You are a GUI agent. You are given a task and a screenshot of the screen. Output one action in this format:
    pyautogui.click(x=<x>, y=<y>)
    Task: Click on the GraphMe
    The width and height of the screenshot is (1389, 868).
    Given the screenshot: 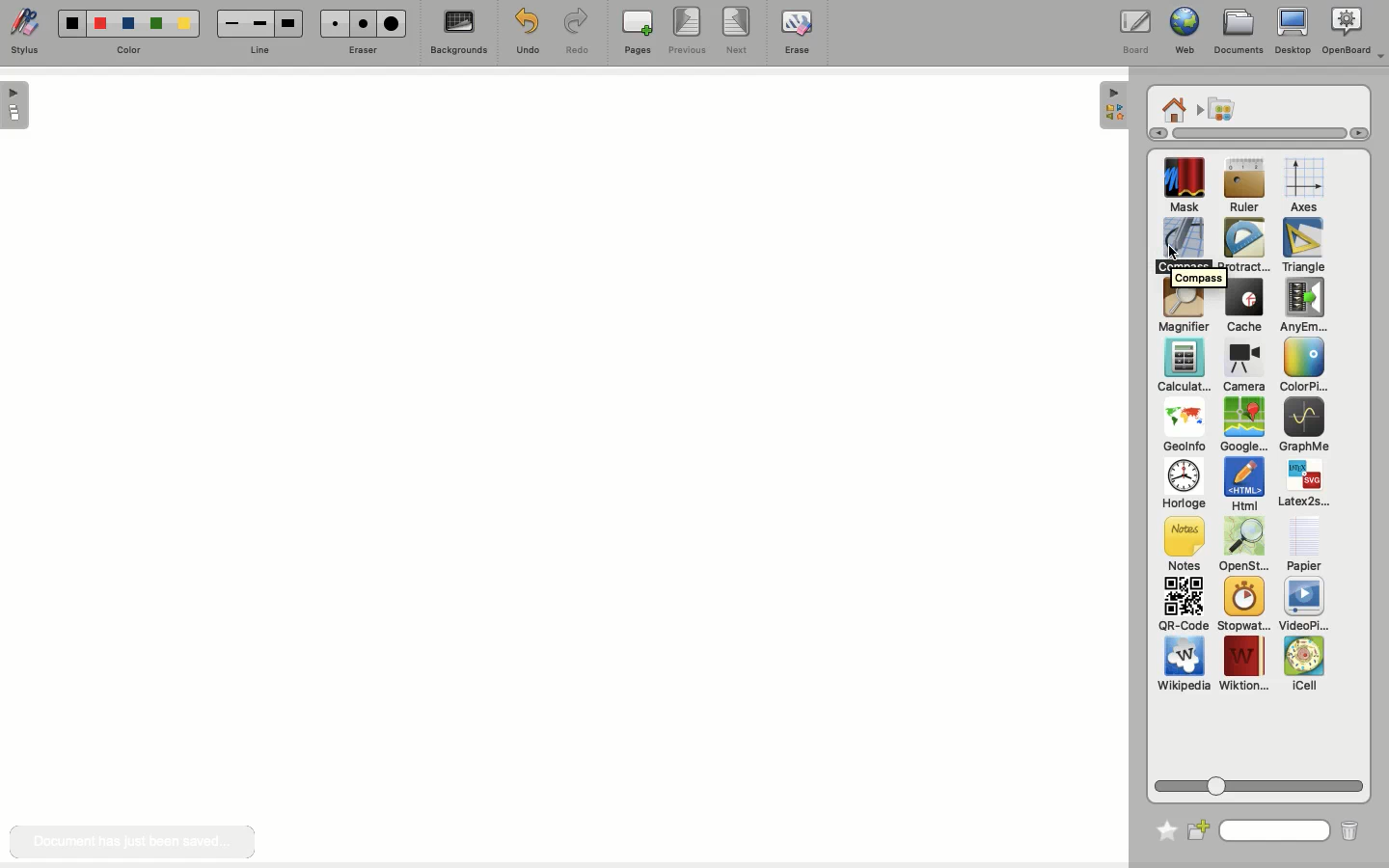 What is the action you would take?
    pyautogui.click(x=1303, y=426)
    